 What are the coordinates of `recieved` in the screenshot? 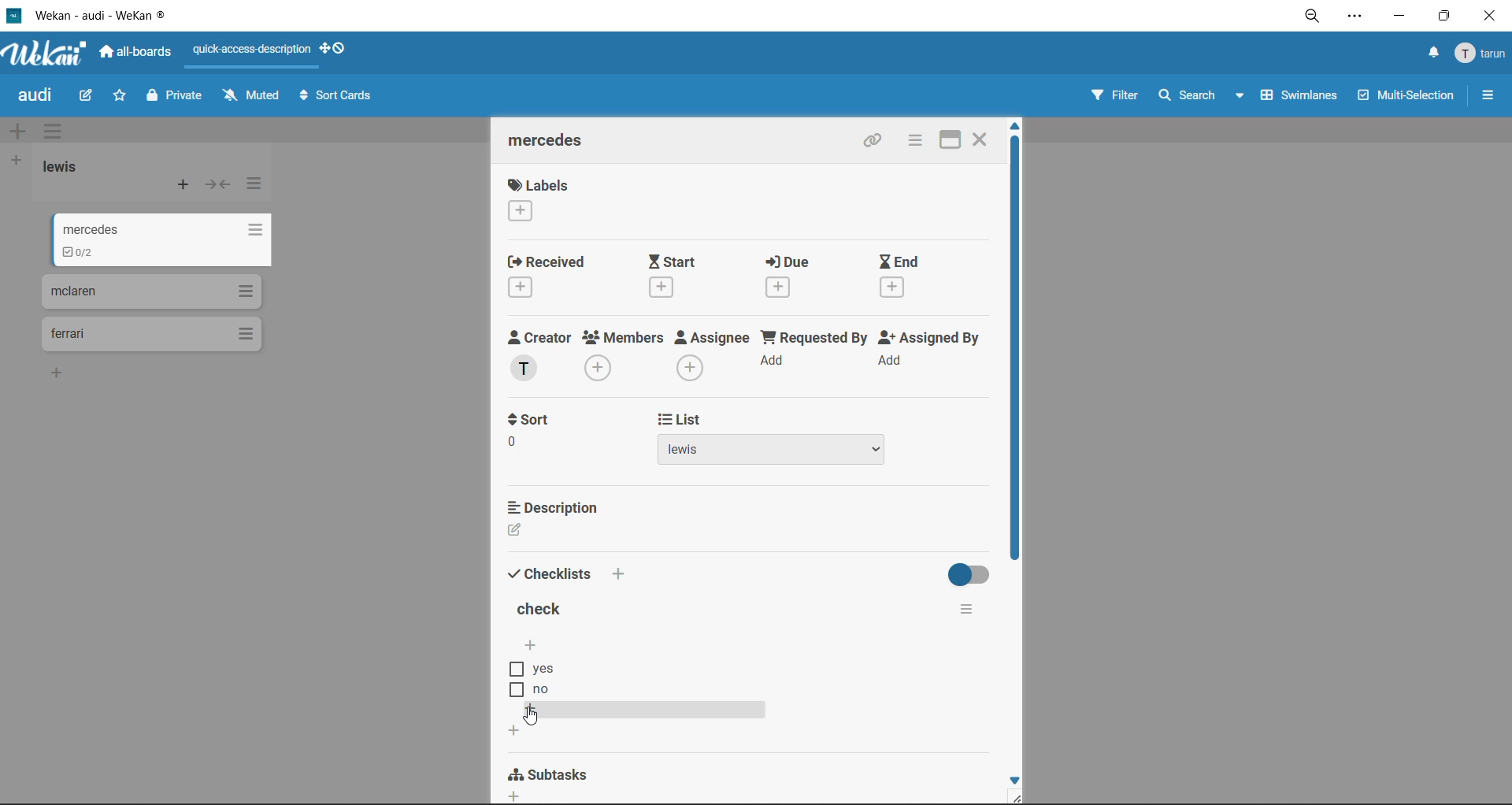 It's located at (547, 261).